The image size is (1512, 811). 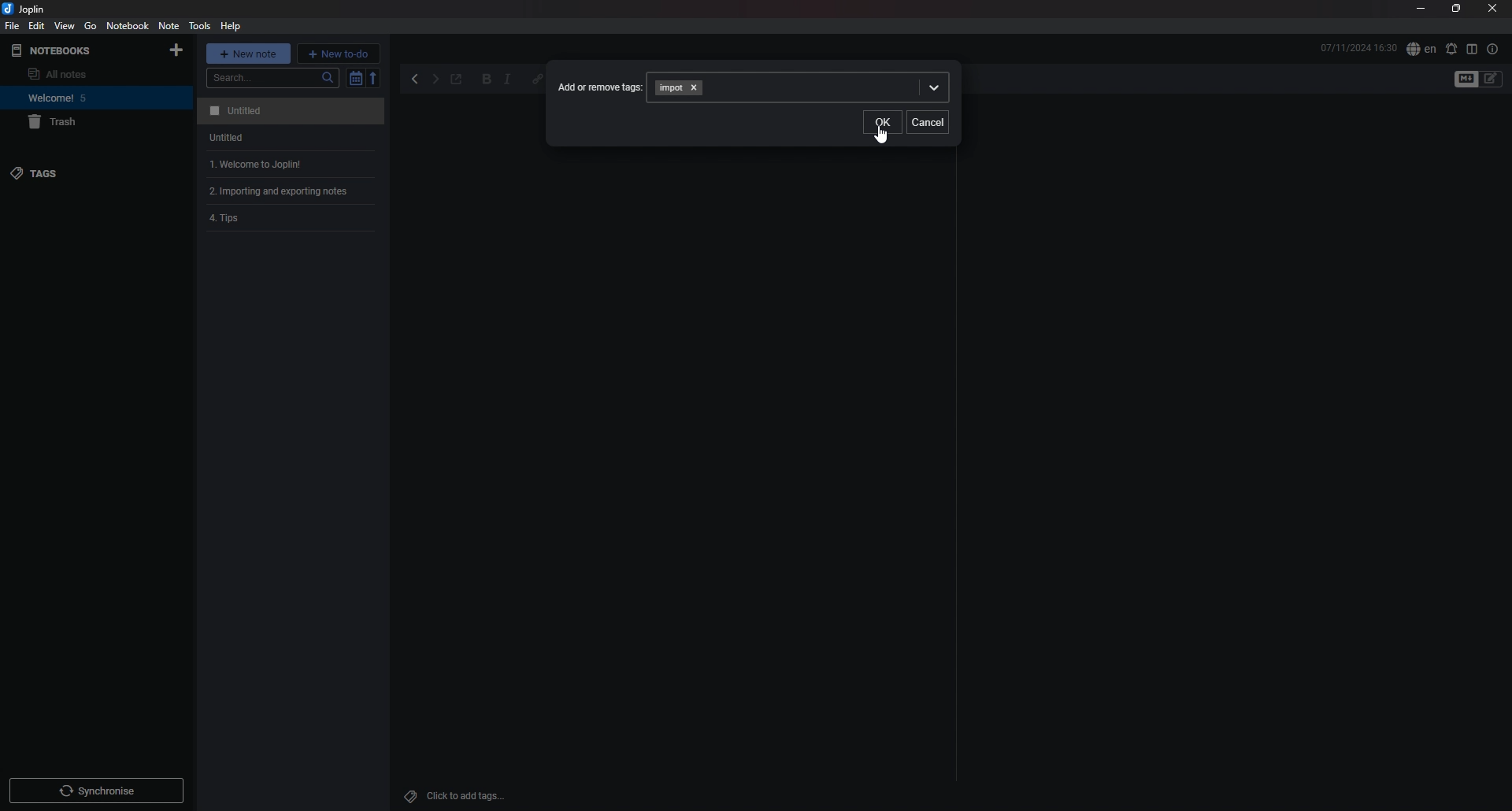 What do you see at coordinates (76, 74) in the screenshot?
I see `all notes` at bounding box center [76, 74].